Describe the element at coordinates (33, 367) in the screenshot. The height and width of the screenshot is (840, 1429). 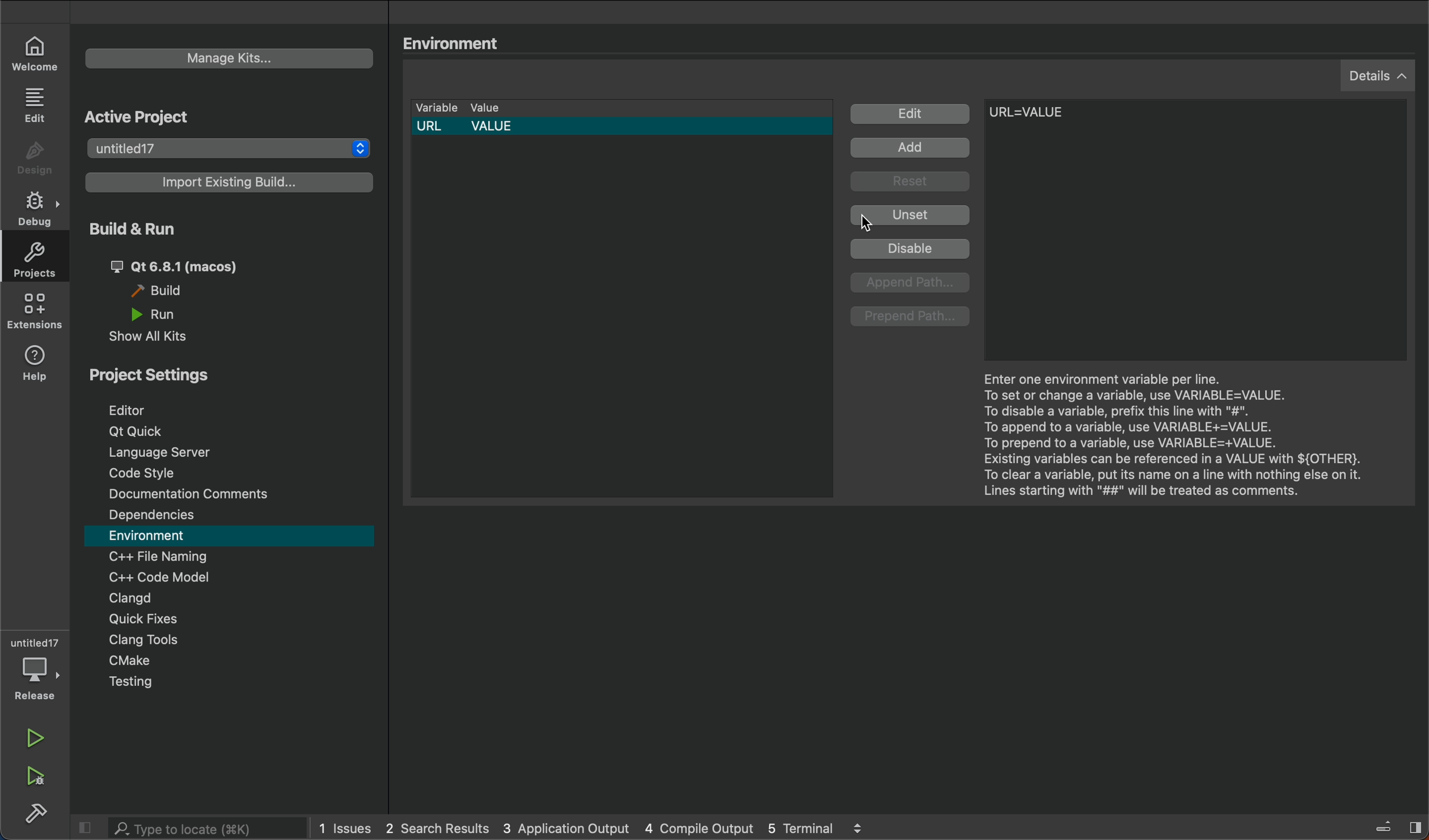
I see `help` at that location.